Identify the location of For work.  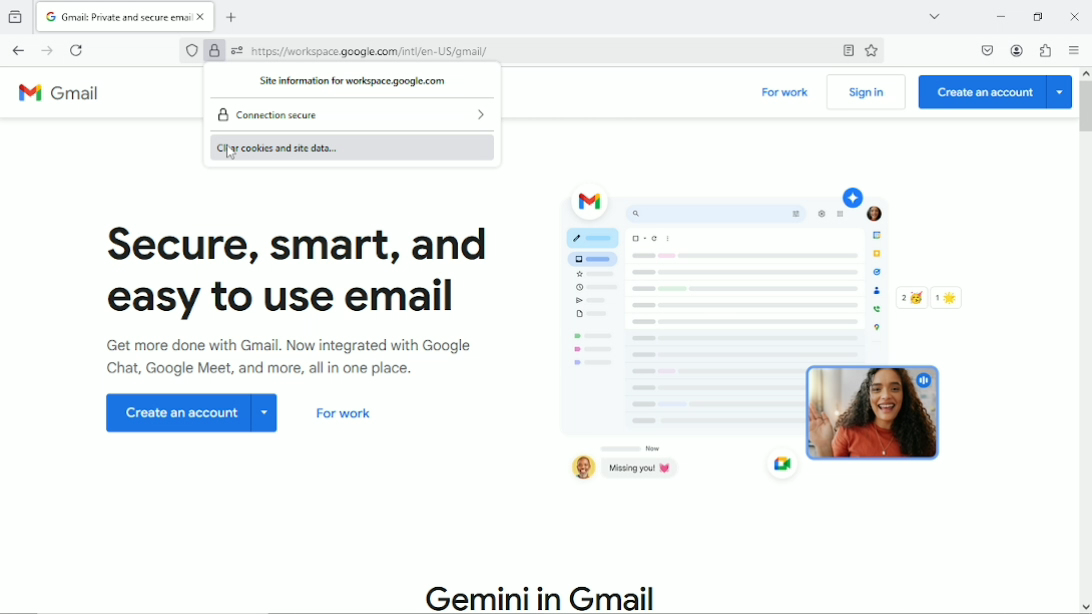
(344, 417).